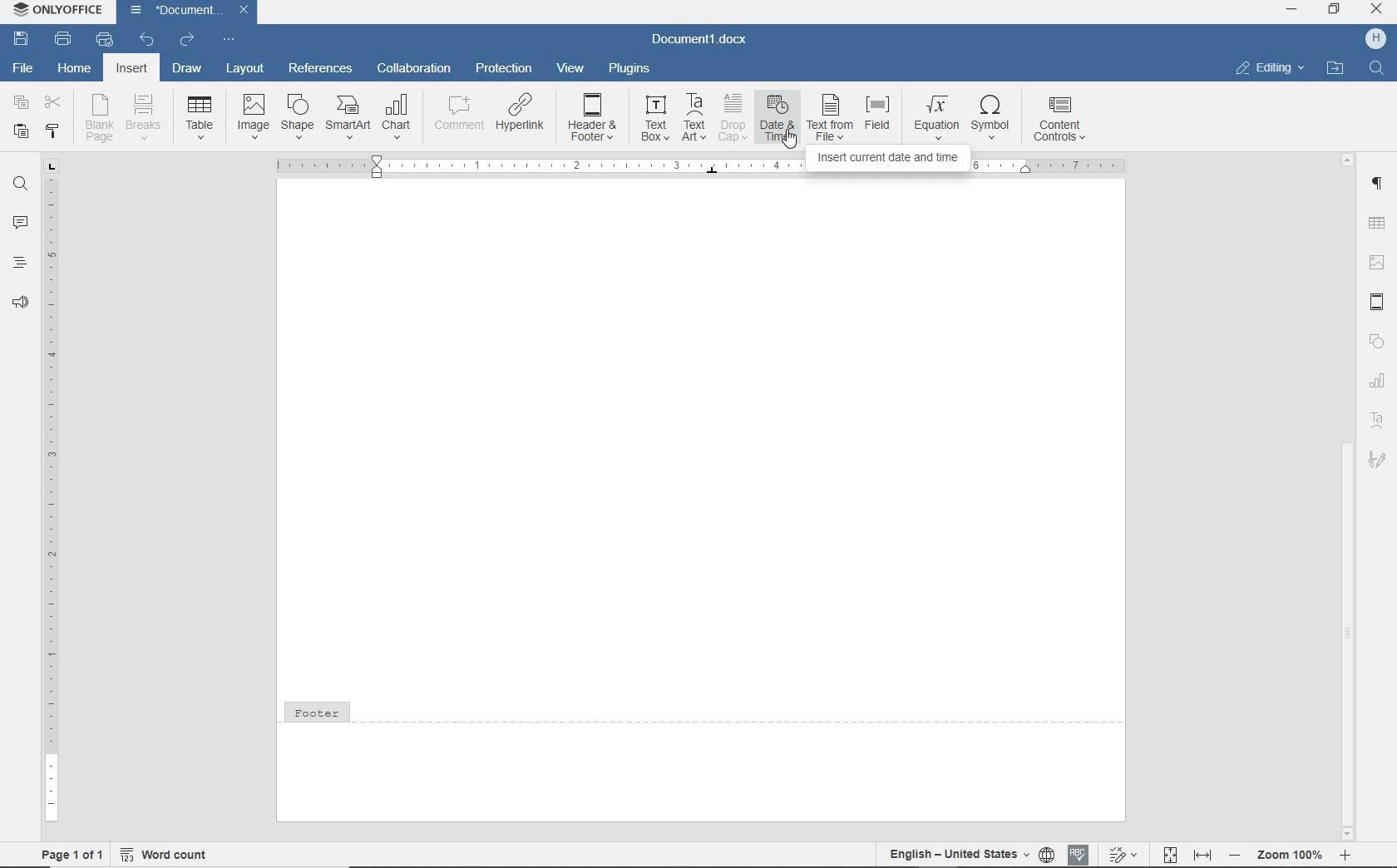  Describe the element at coordinates (701, 39) in the screenshot. I see `document name` at that location.